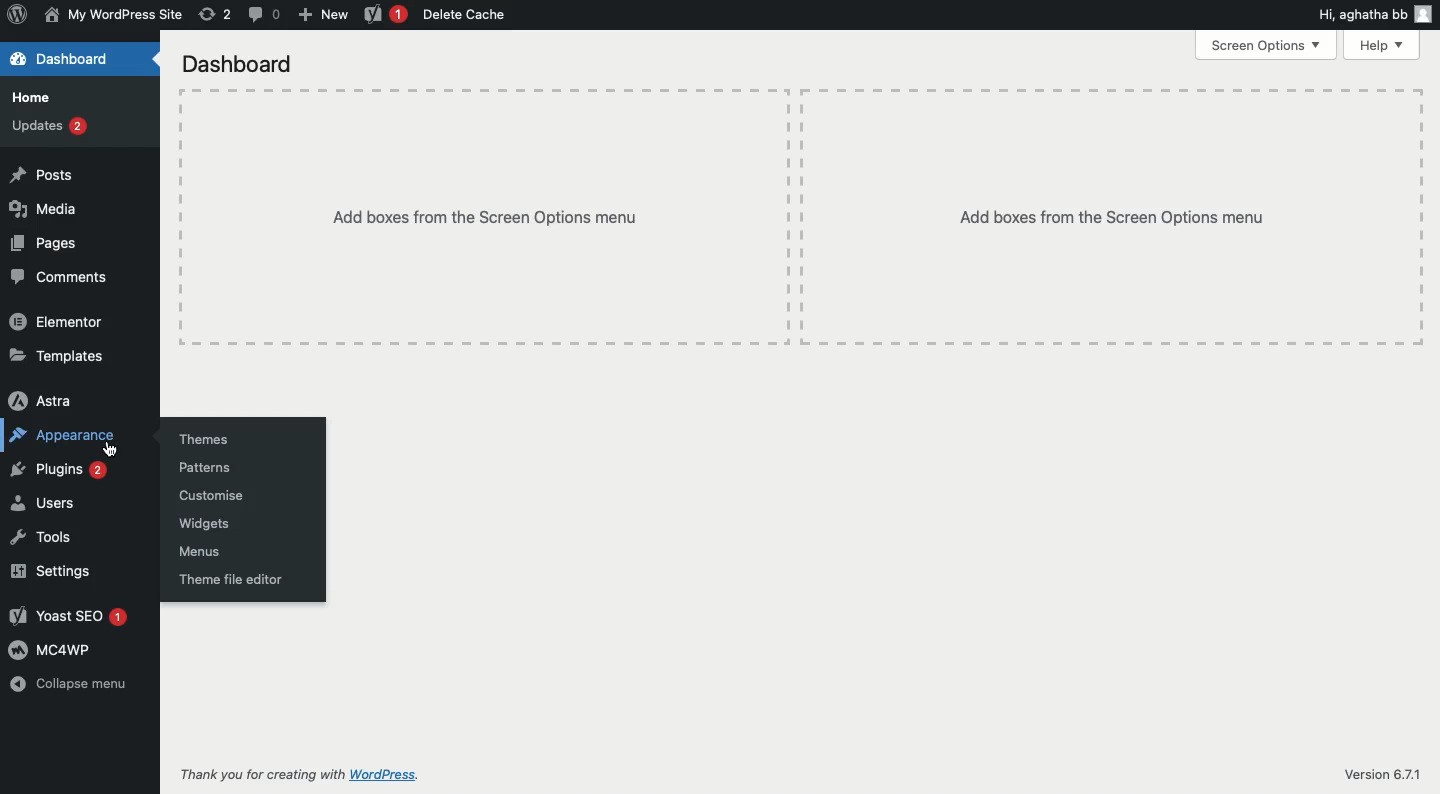 The height and width of the screenshot is (794, 1440). Describe the element at coordinates (215, 497) in the screenshot. I see `Customize` at that location.